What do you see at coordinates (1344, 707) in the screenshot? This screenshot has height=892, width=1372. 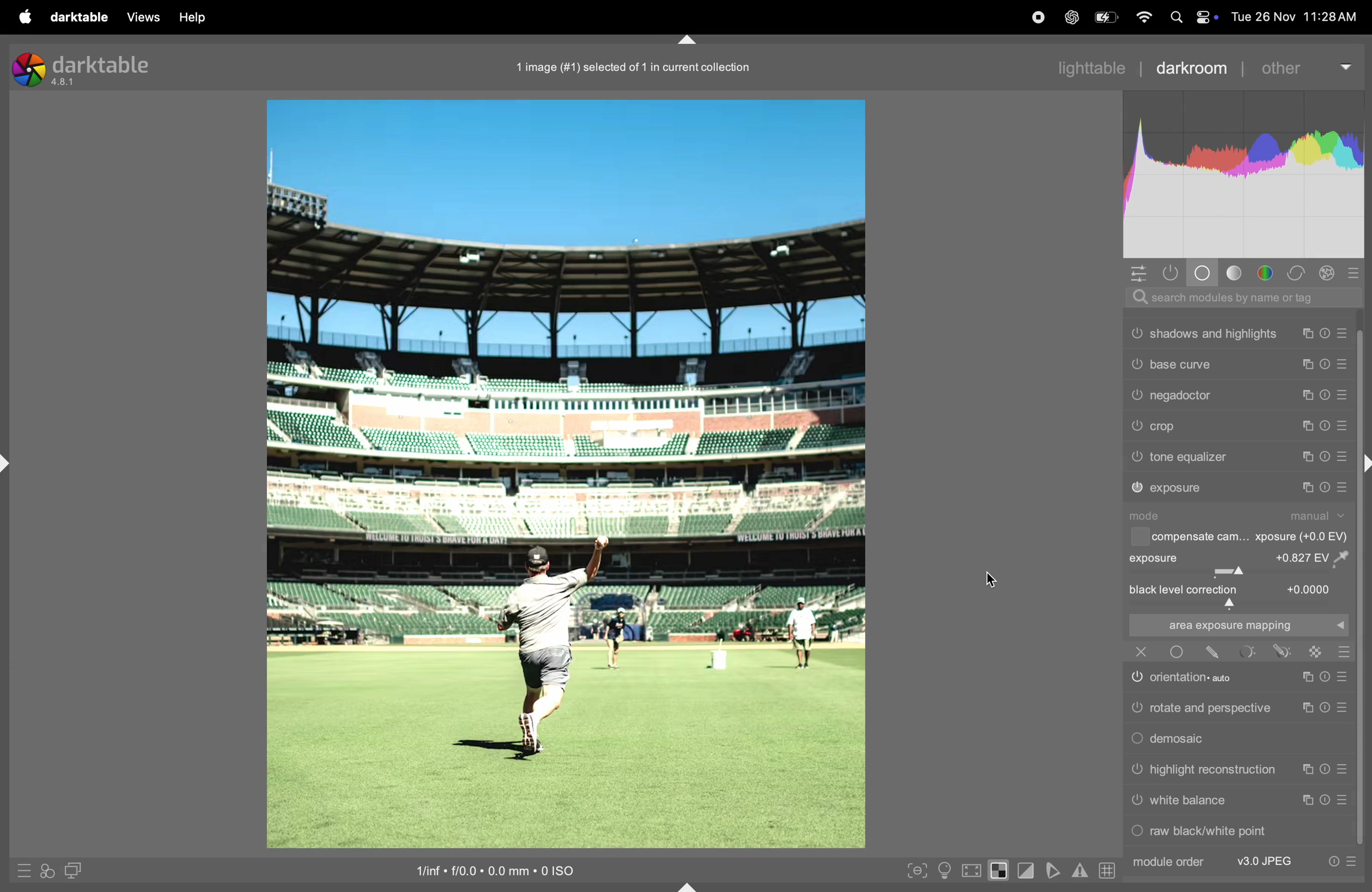 I see `Preset` at bounding box center [1344, 707].